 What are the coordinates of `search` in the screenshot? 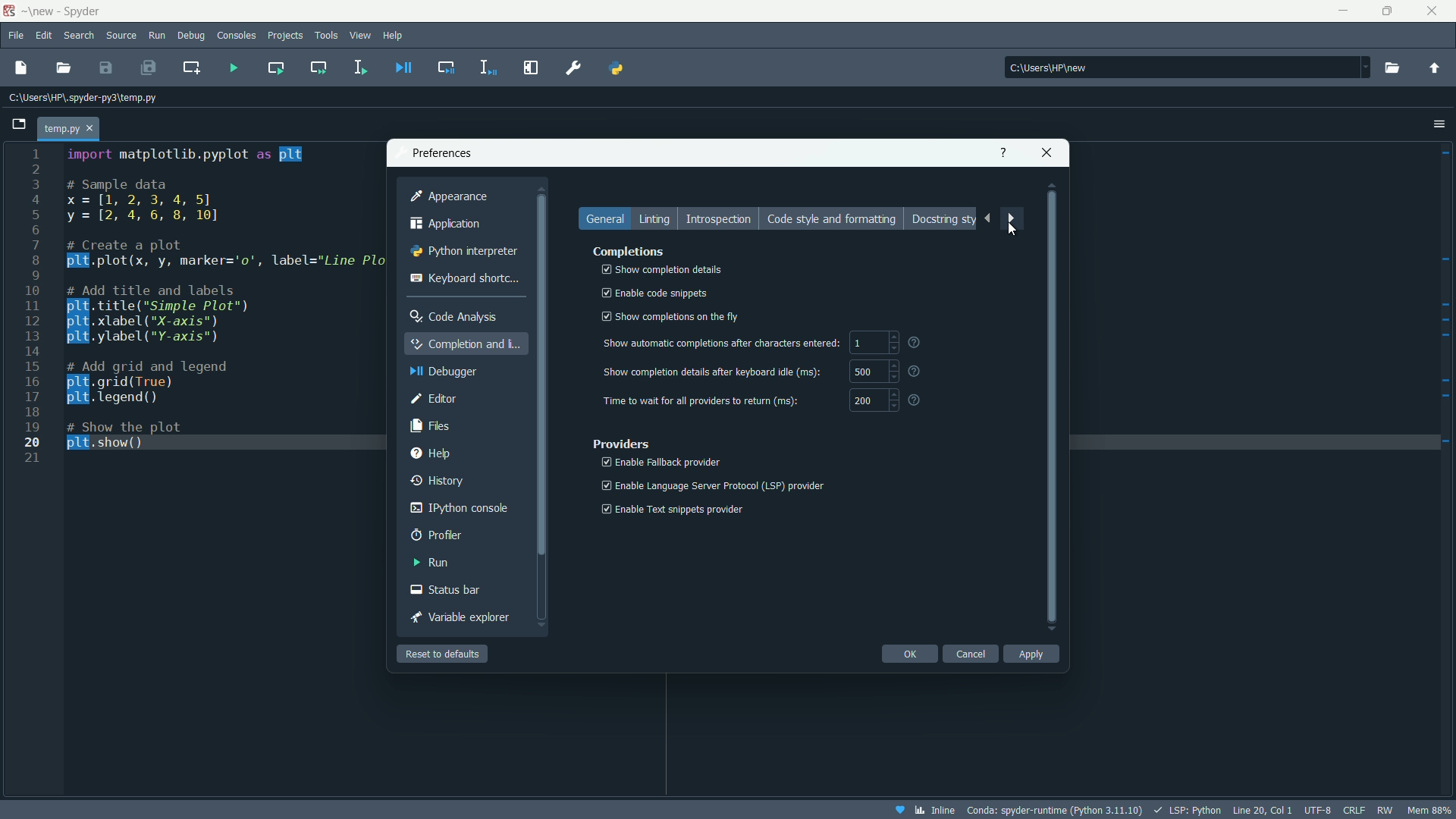 It's located at (79, 36).